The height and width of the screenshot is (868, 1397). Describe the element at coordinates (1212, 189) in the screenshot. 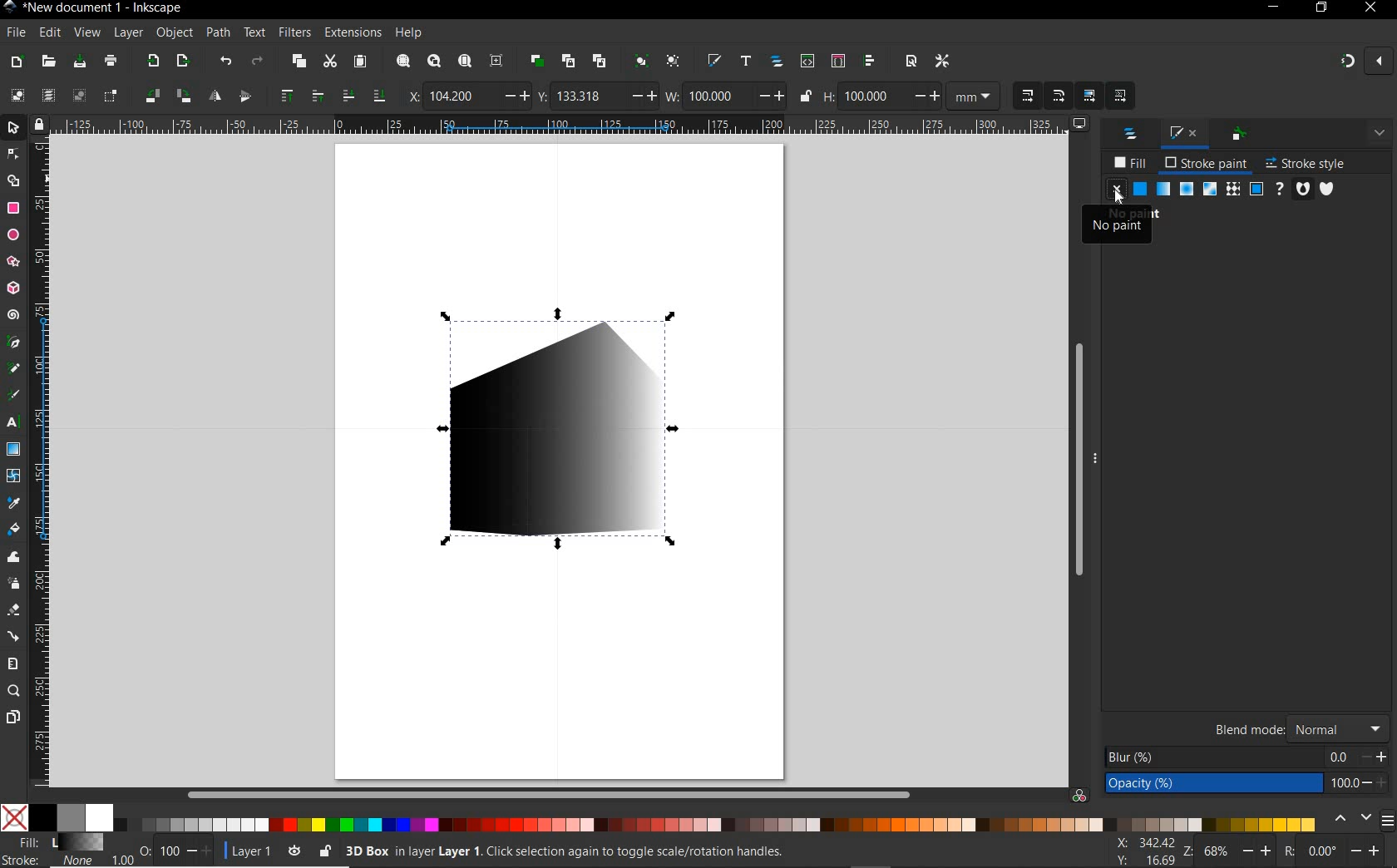

I see `STROKE PAINT SELECTIONS` at that location.